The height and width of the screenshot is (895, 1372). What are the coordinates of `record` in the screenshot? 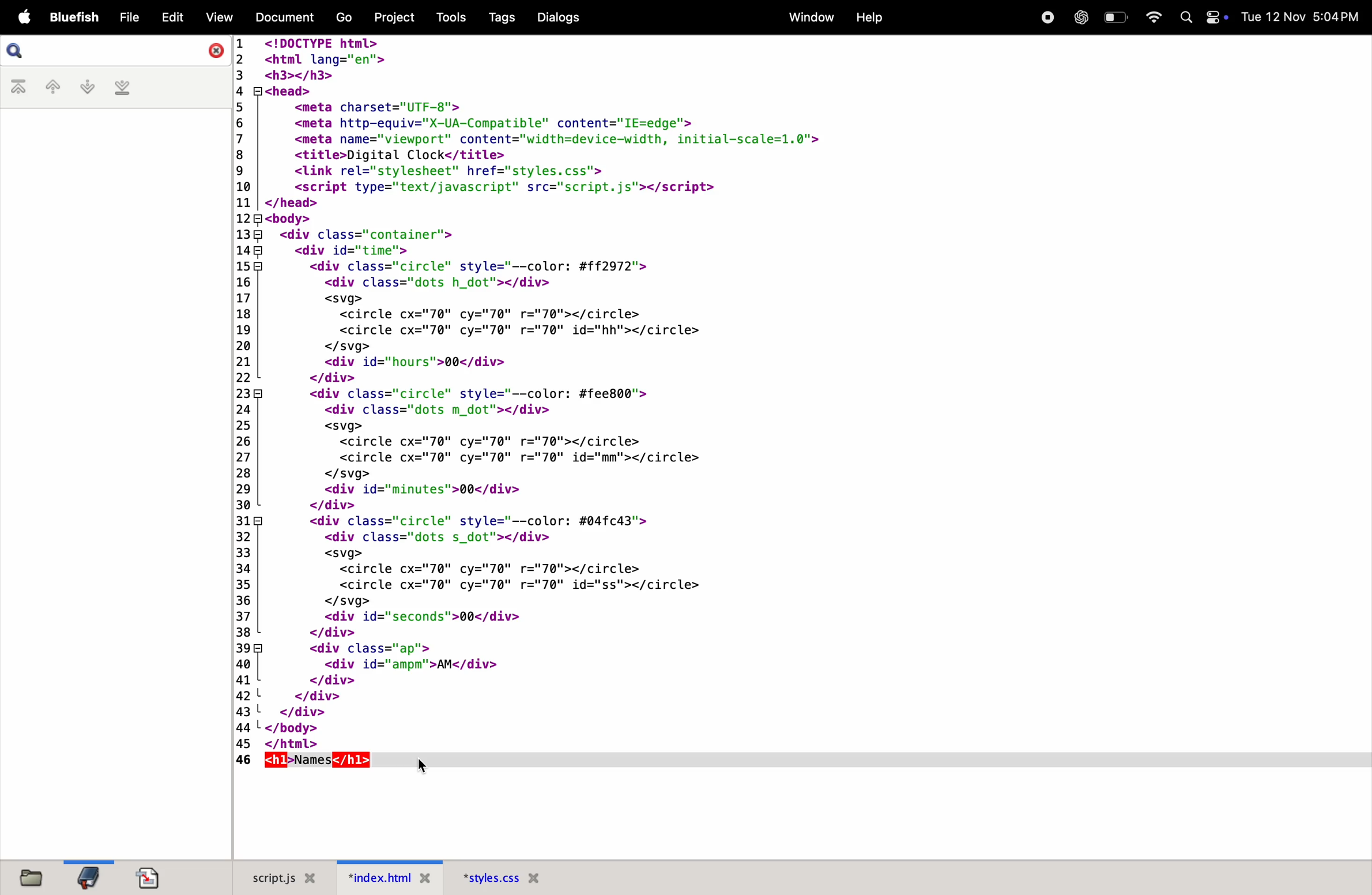 It's located at (1045, 17).